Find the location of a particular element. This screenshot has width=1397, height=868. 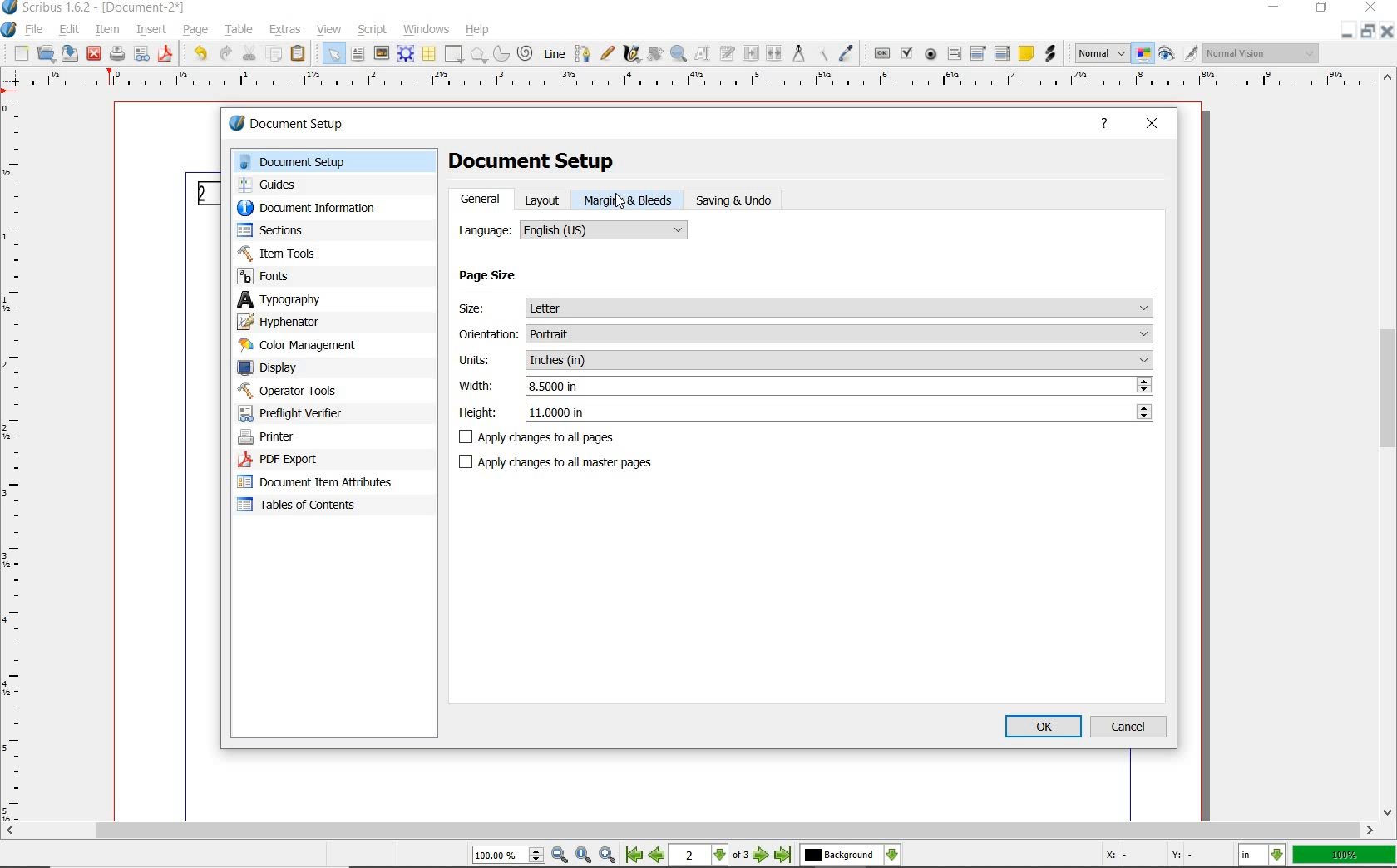

guides is located at coordinates (274, 186).